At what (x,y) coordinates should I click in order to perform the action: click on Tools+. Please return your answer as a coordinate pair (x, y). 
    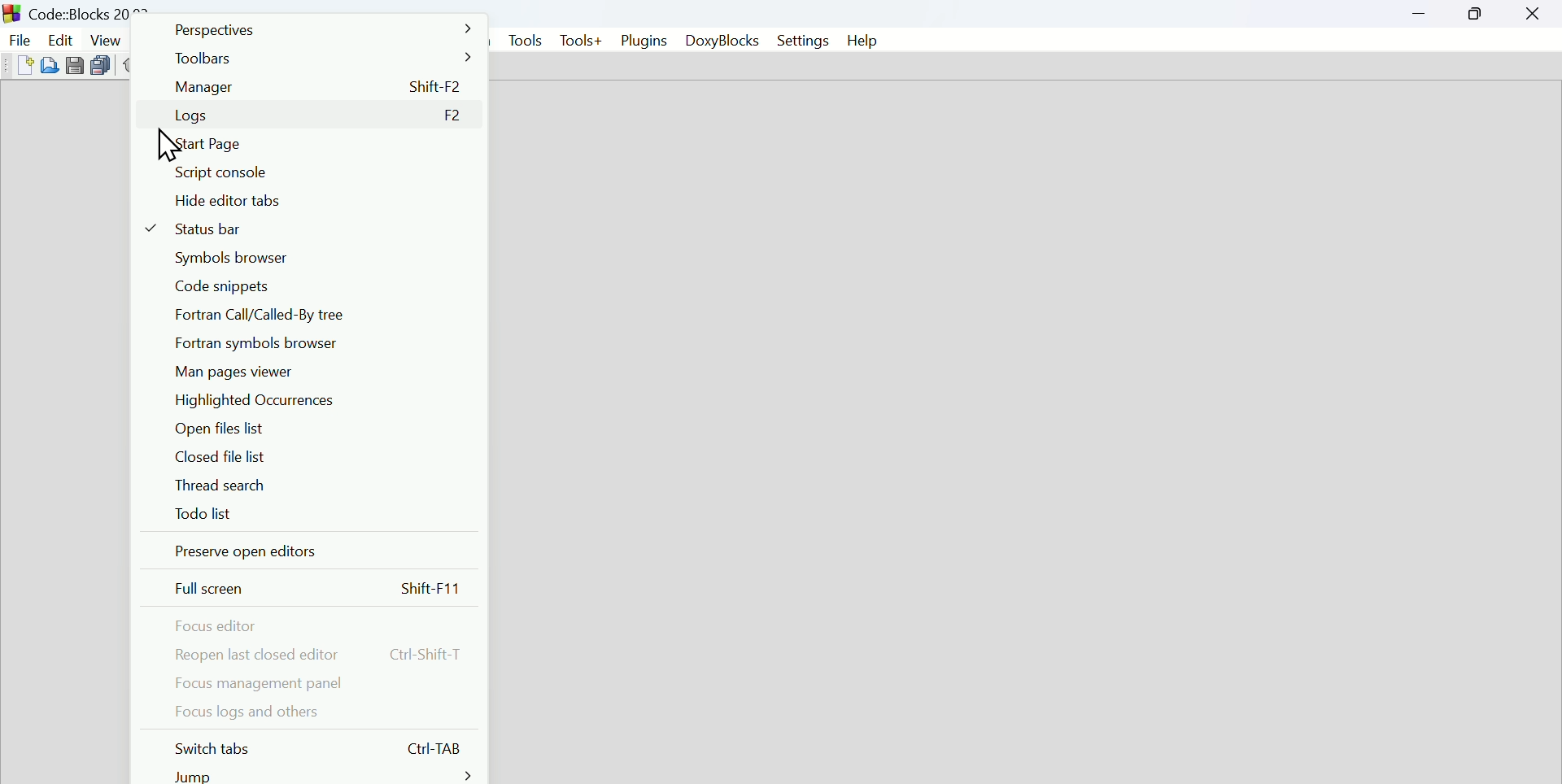
    Looking at the image, I should click on (581, 41).